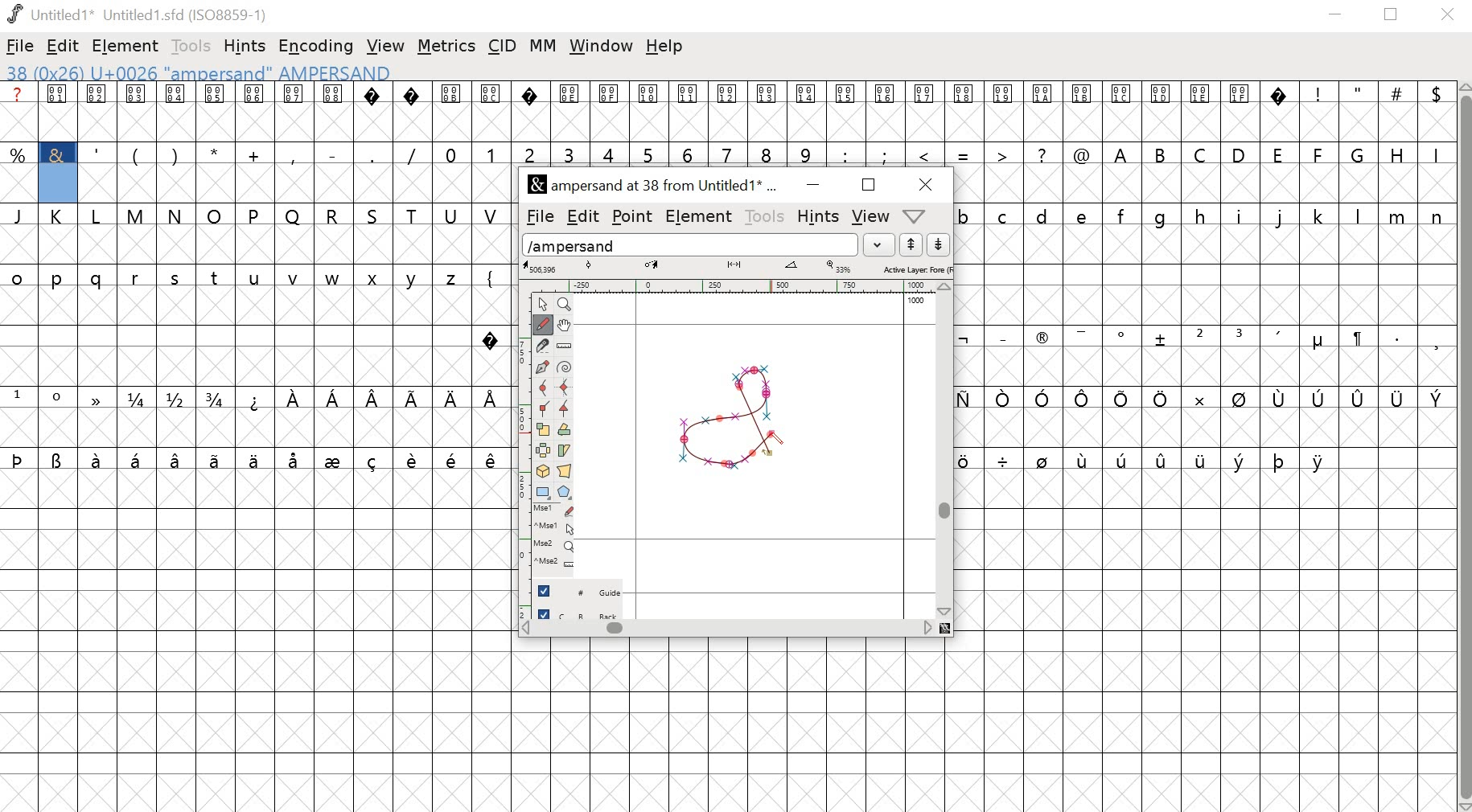 This screenshot has height=812, width=1472. Describe the element at coordinates (886, 154) in the screenshot. I see `;` at that location.